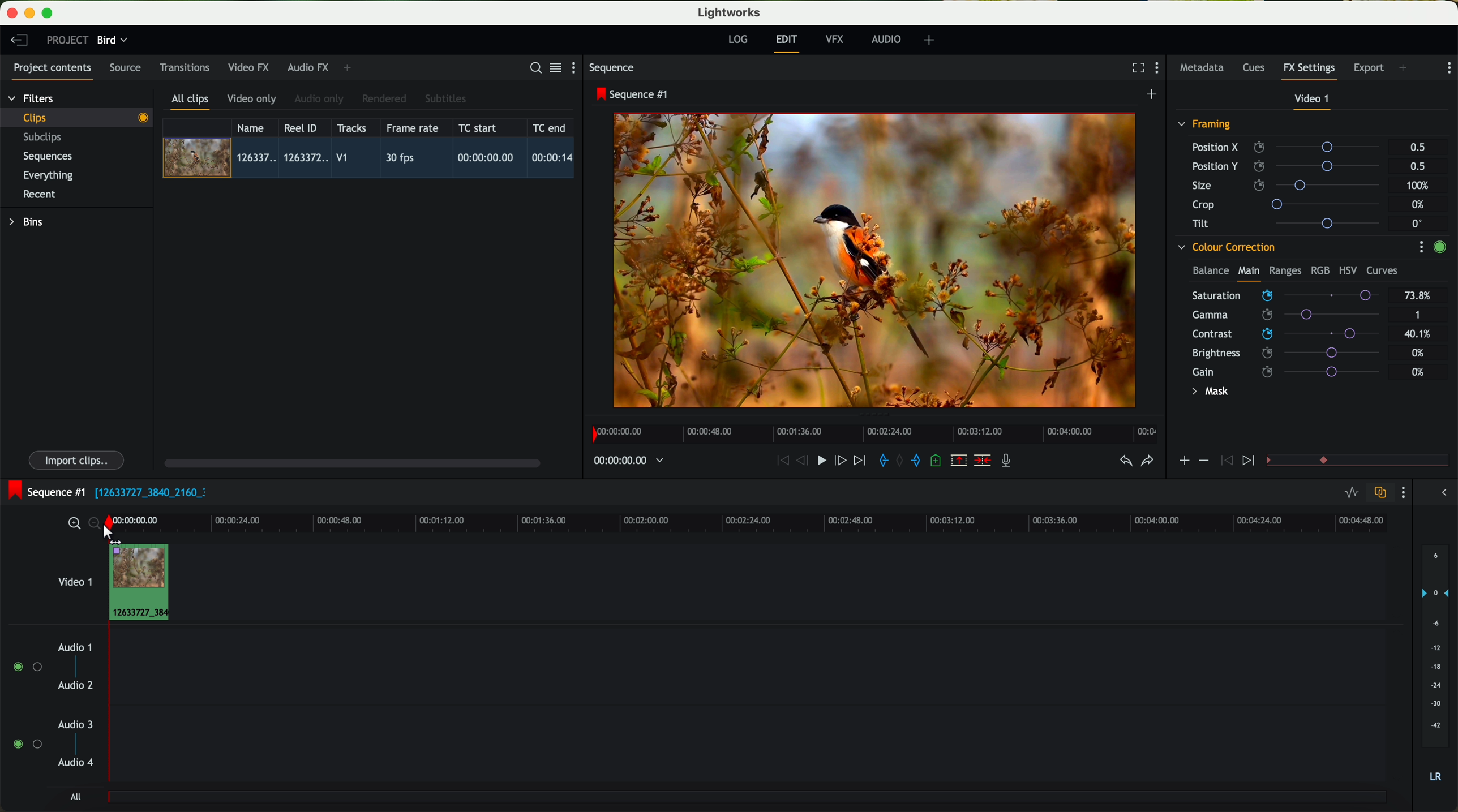 This screenshot has height=812, width=1458. I want to click on curves, so click(1382, 271).